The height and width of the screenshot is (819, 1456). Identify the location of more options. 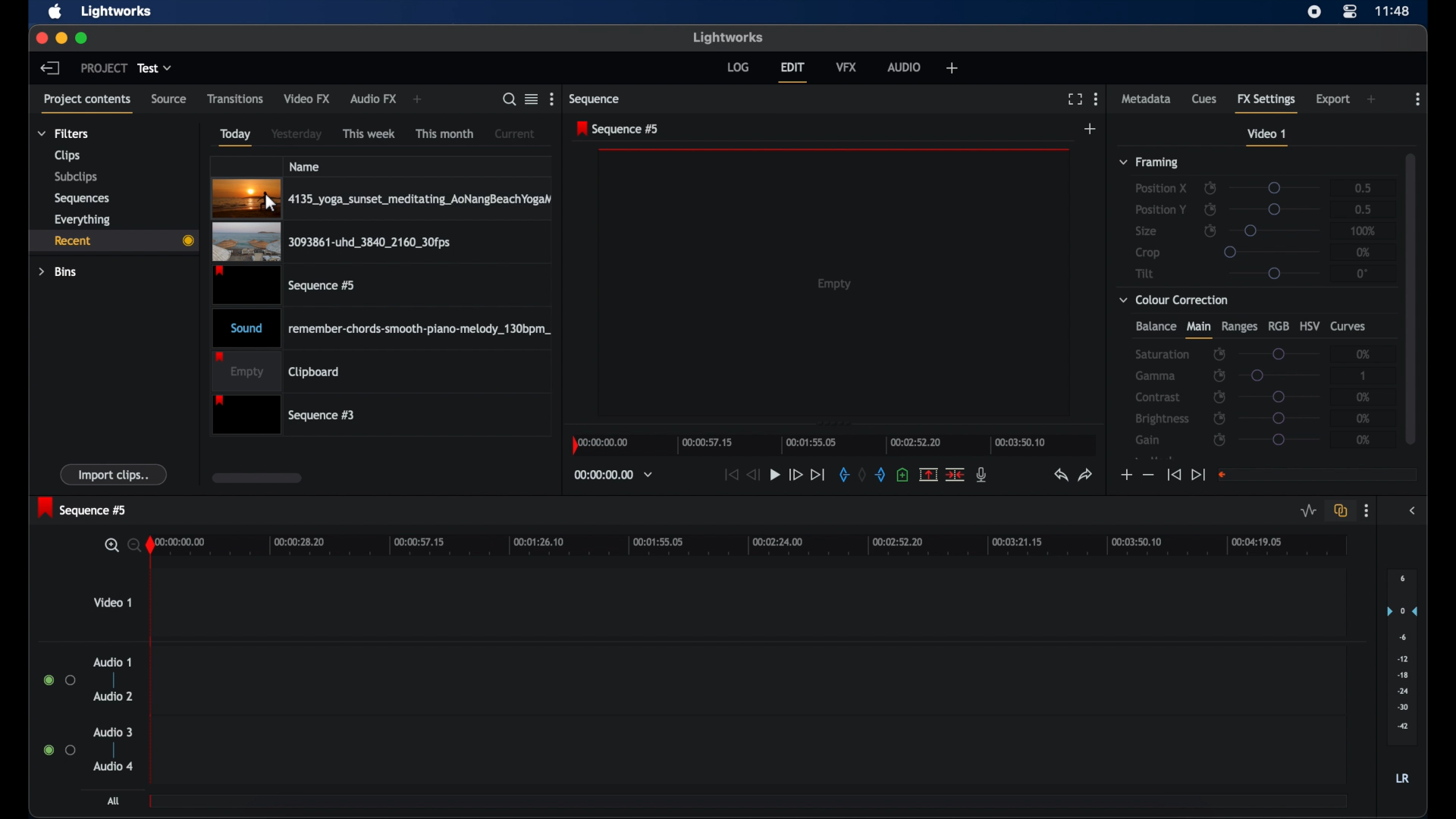
(1367, 511).